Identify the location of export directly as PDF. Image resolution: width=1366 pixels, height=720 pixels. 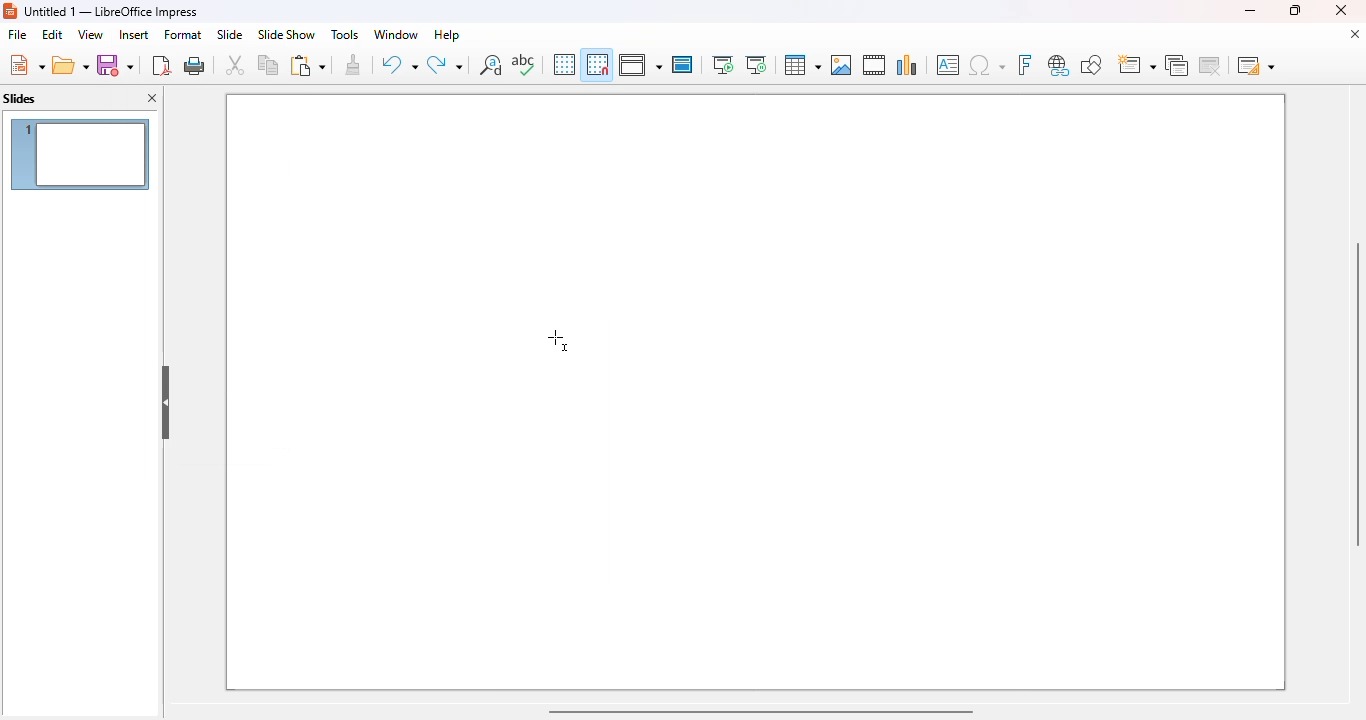
(161, 65).